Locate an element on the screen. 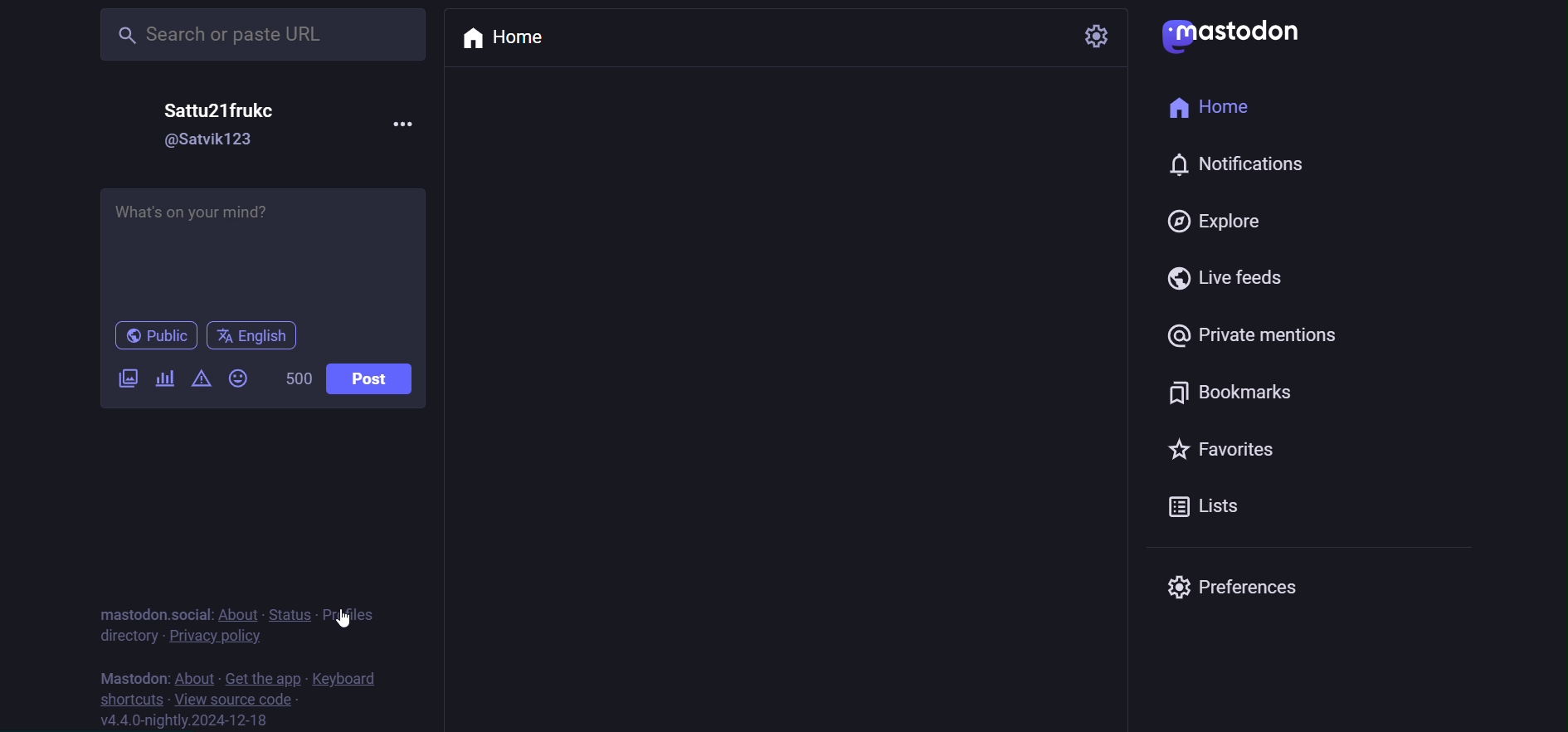  What's on your mind? is located at coordinates (266, 251).